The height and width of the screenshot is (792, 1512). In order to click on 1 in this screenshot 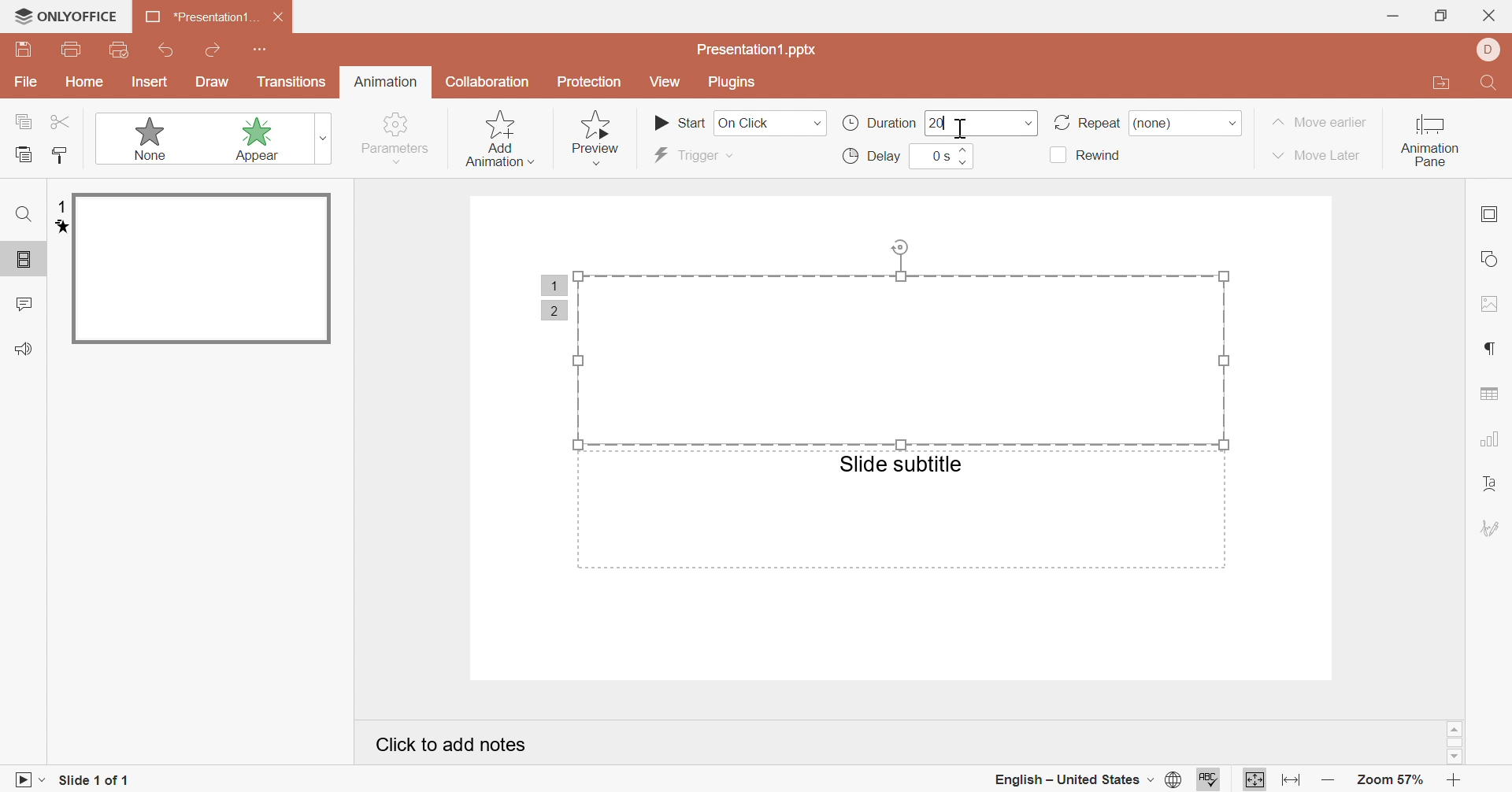, I will do `click(61, 207)`.